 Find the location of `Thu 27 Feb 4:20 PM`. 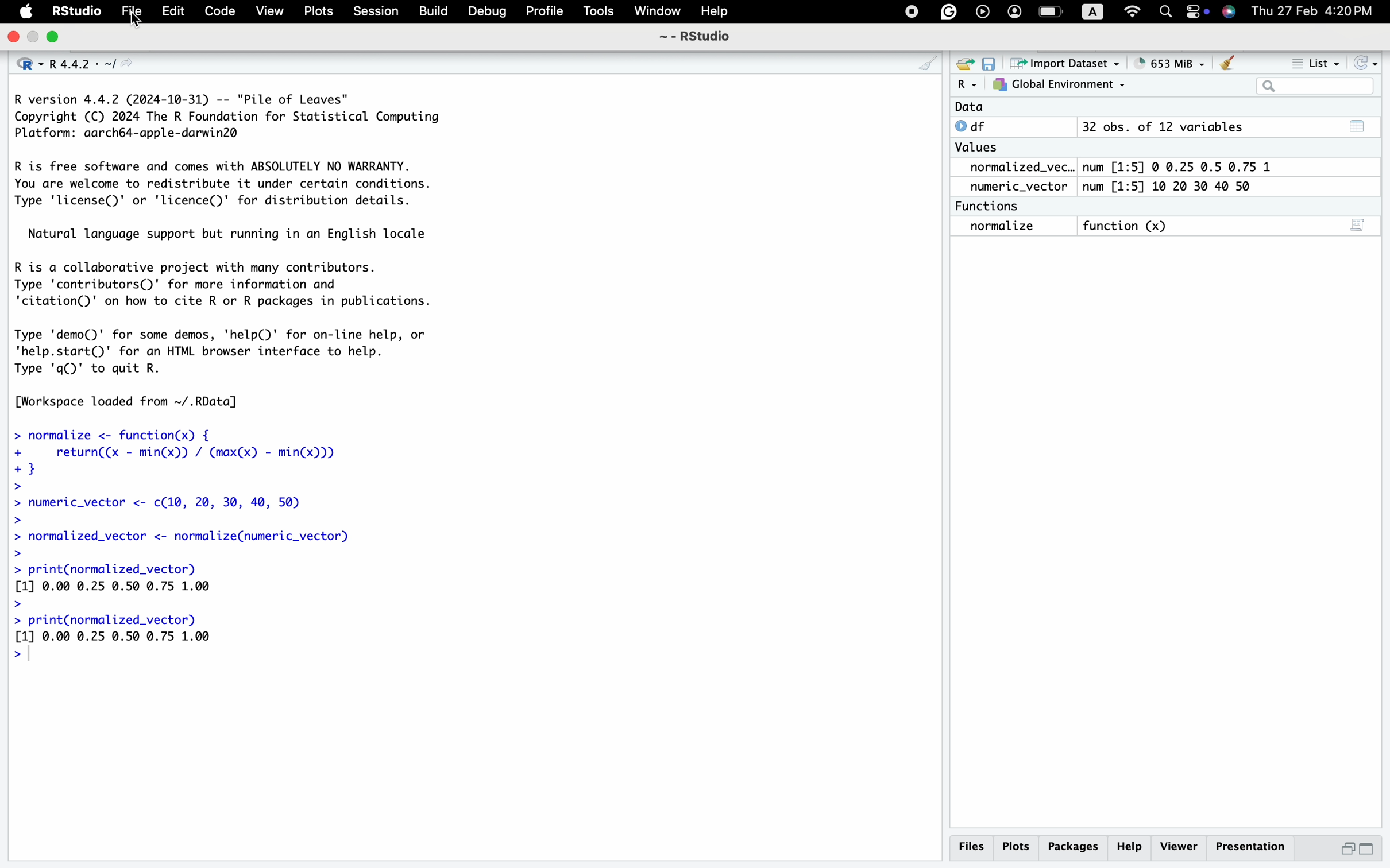

Thu 27 Feb 4:20 PM is located at coordinates (1318, 11).